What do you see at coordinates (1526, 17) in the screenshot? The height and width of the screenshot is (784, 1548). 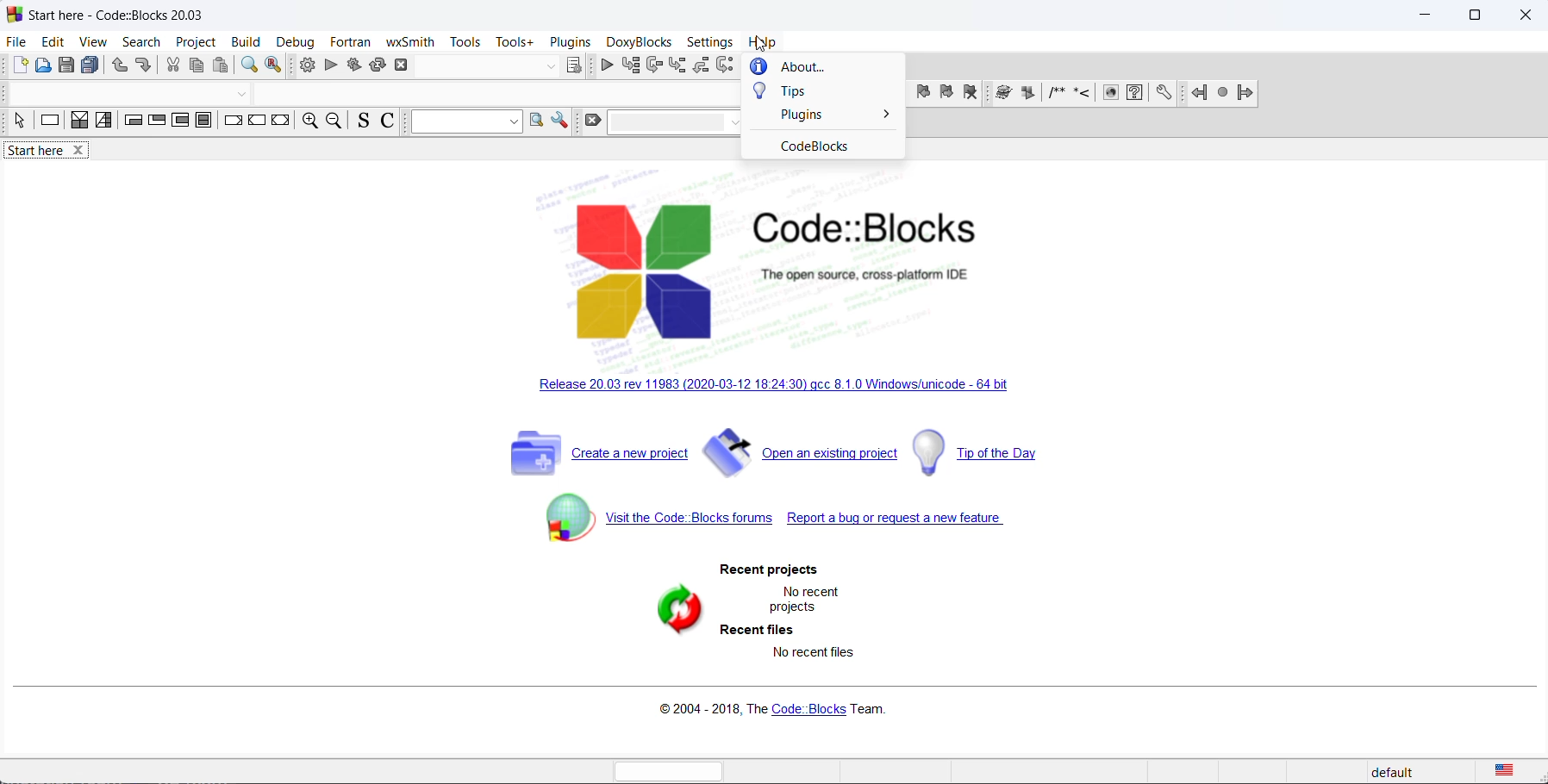 I see `close` at bounding box center [1526, 17].